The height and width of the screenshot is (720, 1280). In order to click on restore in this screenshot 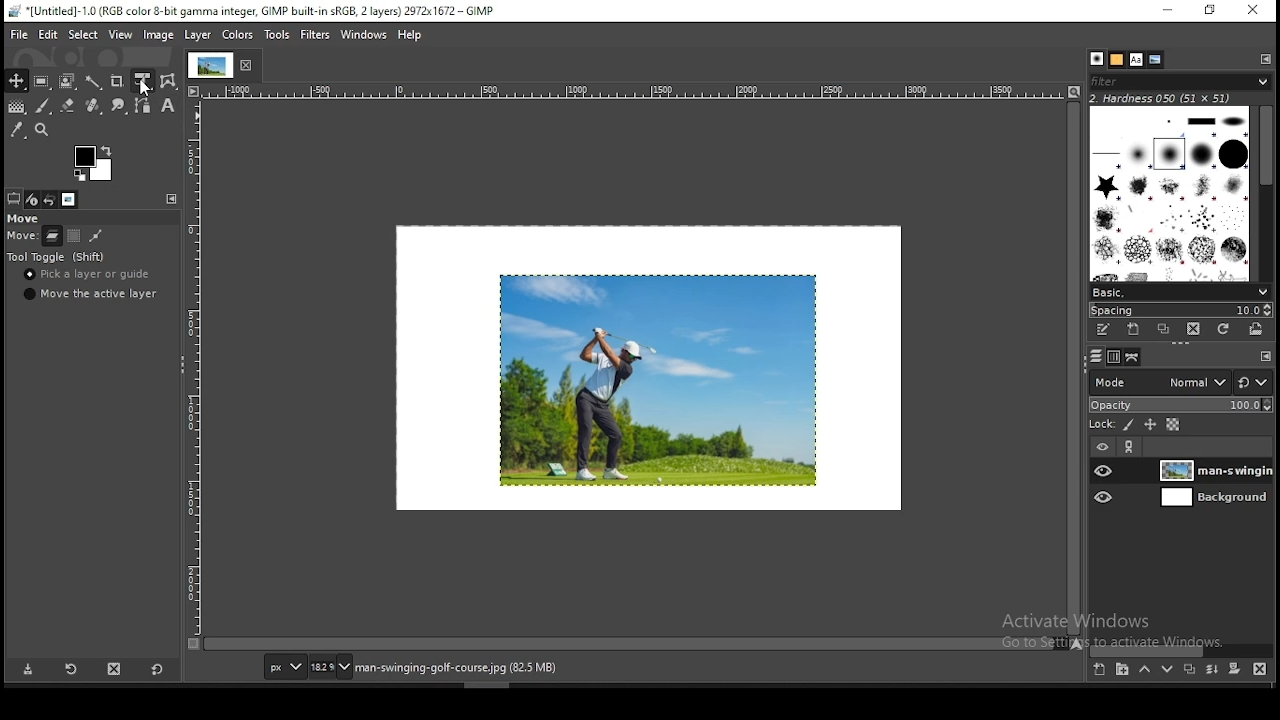, I will do `click(1209, 11)`.